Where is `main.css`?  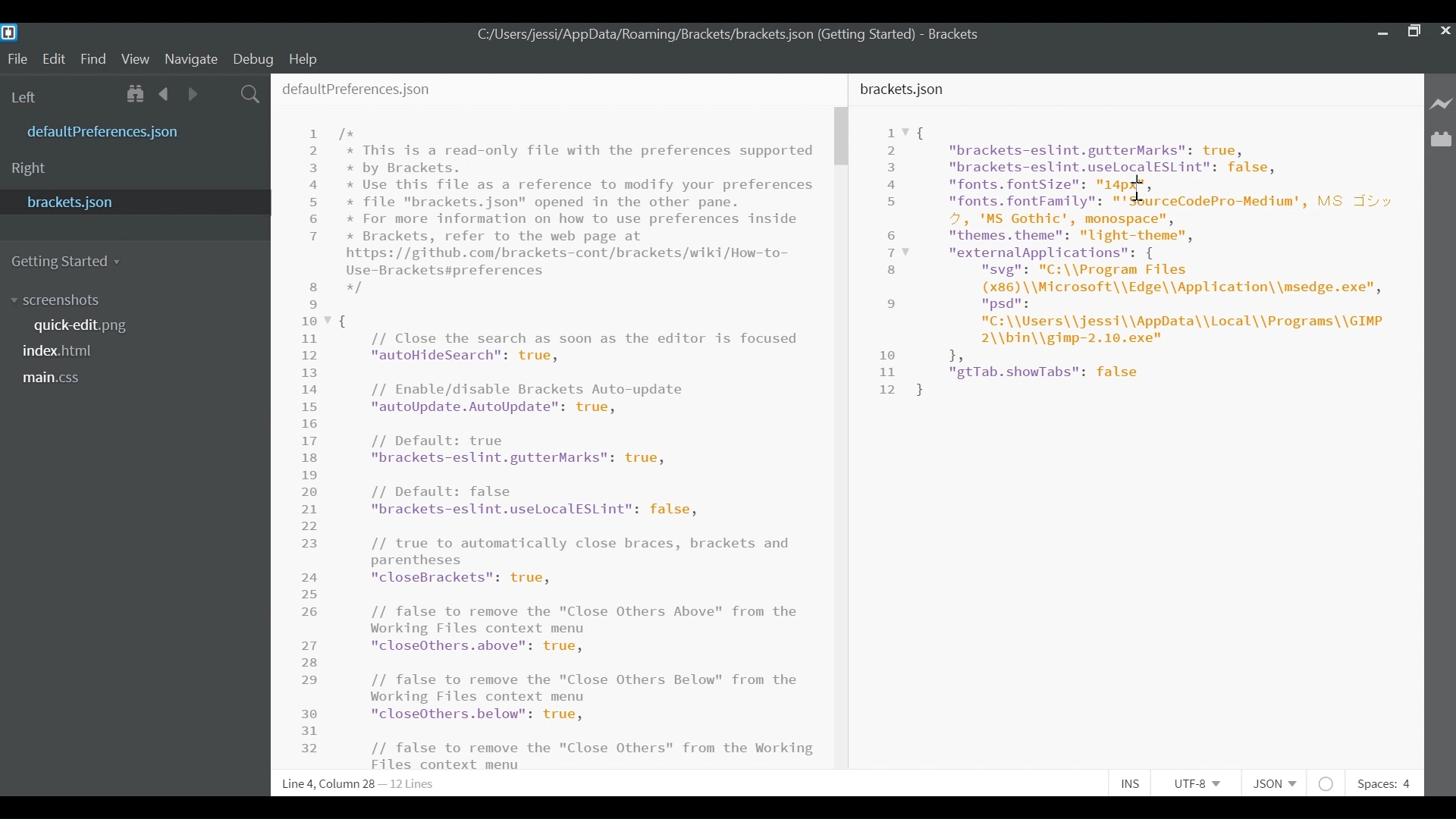
main.css is located at coordinates (57, 379).